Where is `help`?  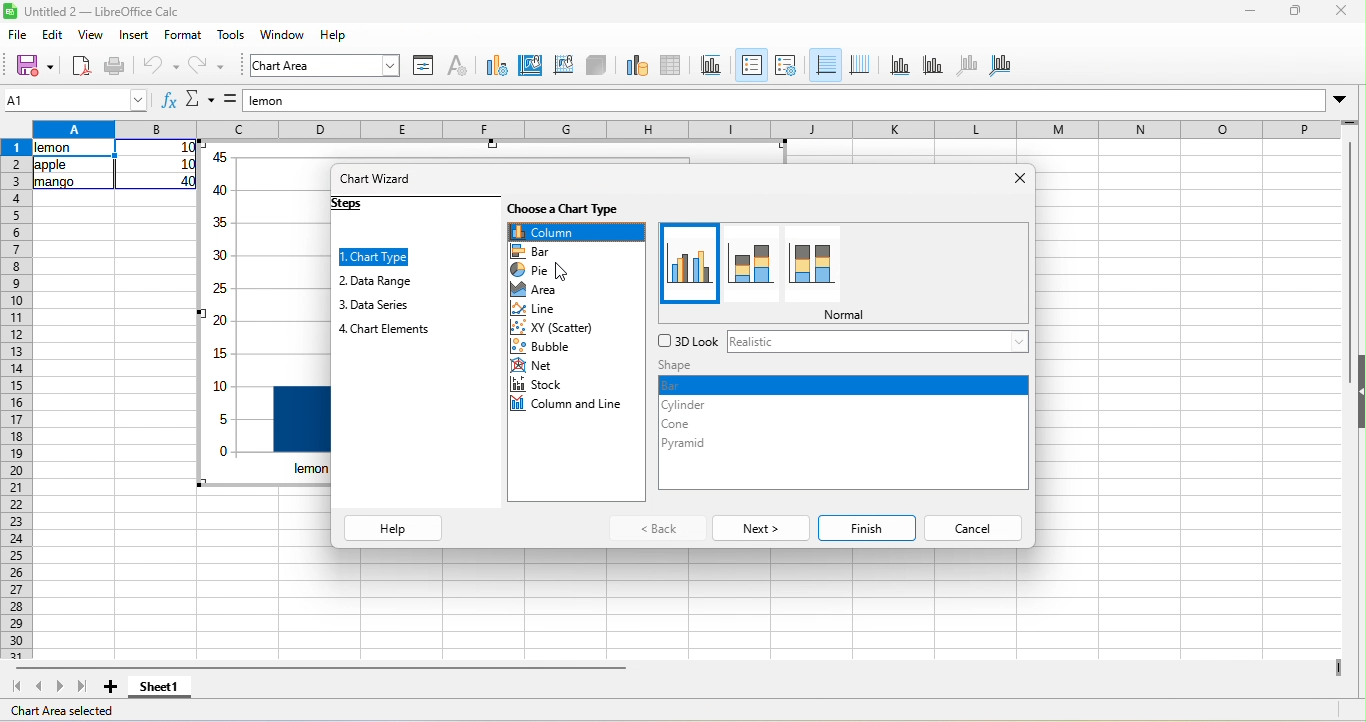
help is located at coordinates (394, 527).